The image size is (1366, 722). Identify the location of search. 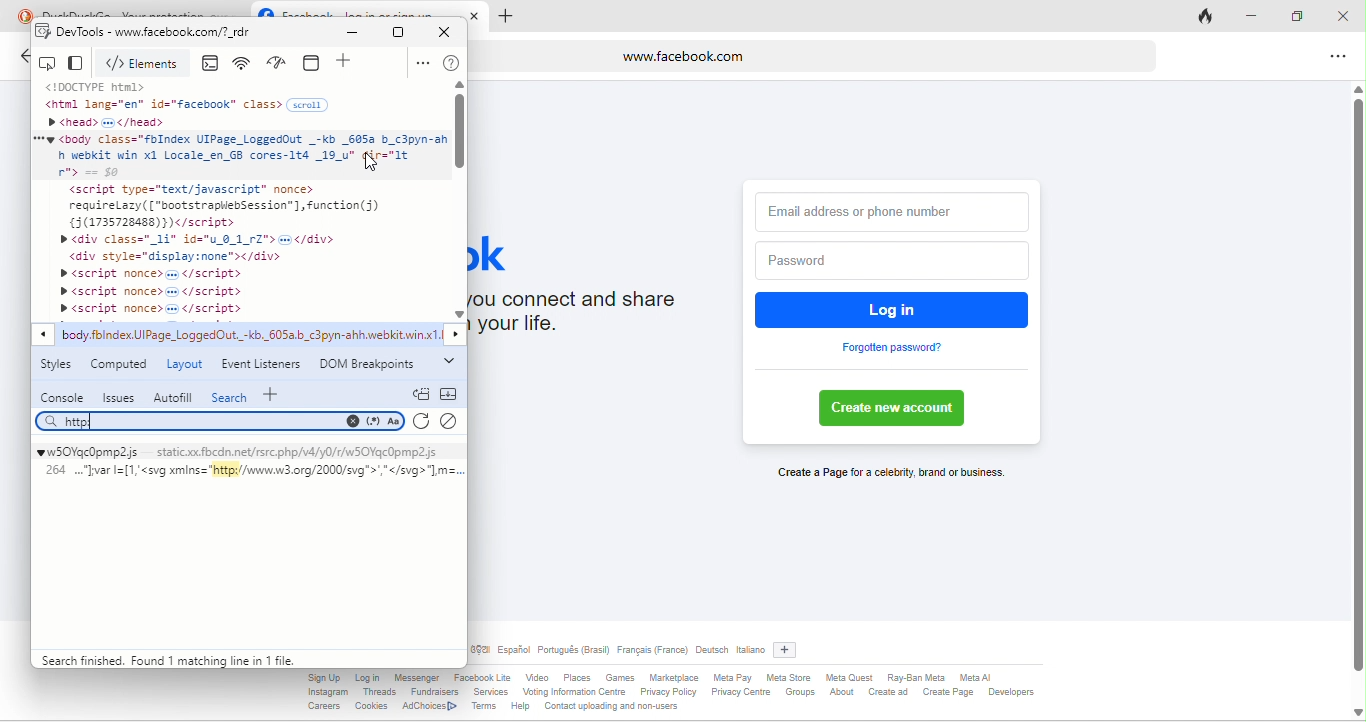
(230, 396).